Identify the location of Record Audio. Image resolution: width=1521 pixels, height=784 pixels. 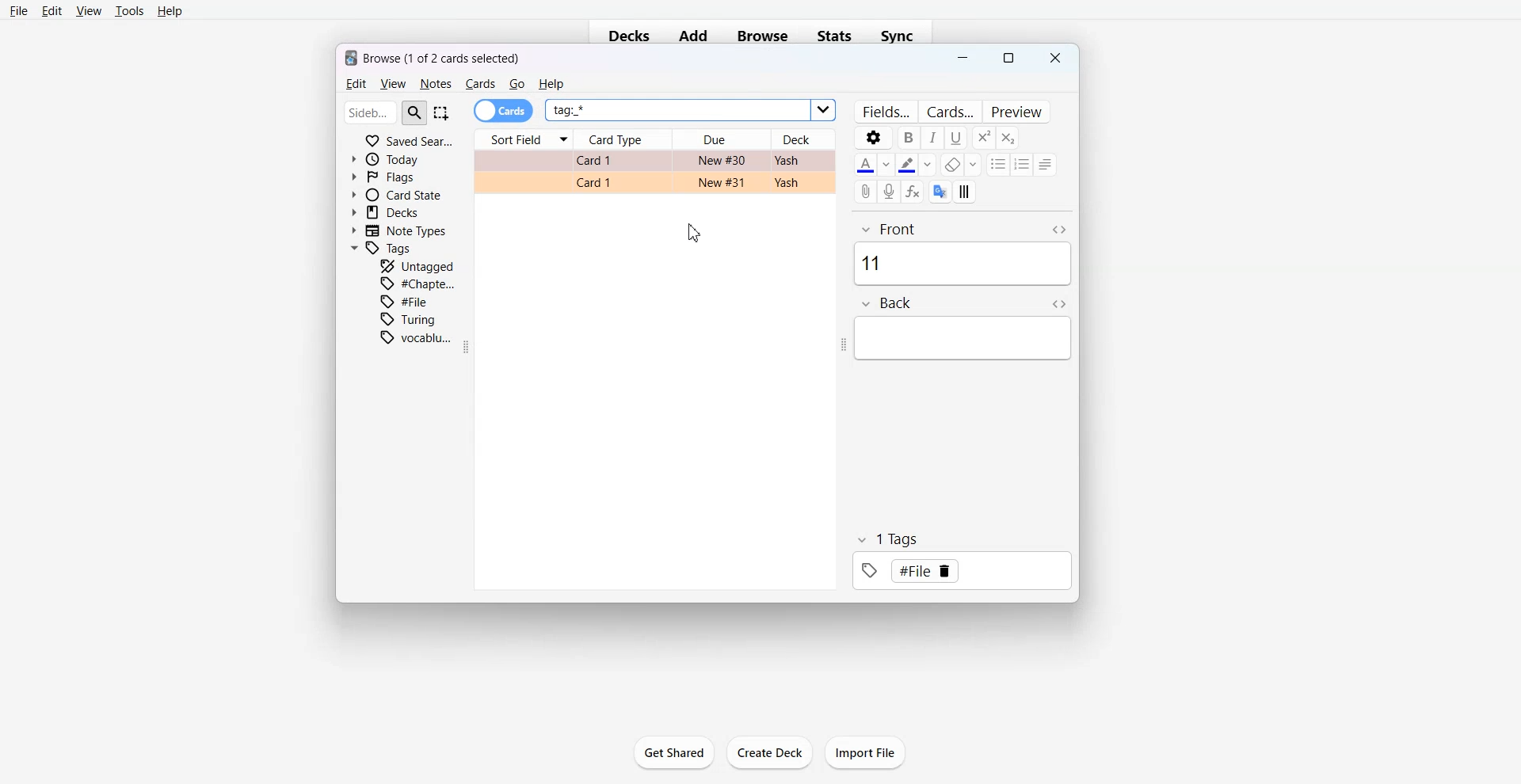
(890, 192).